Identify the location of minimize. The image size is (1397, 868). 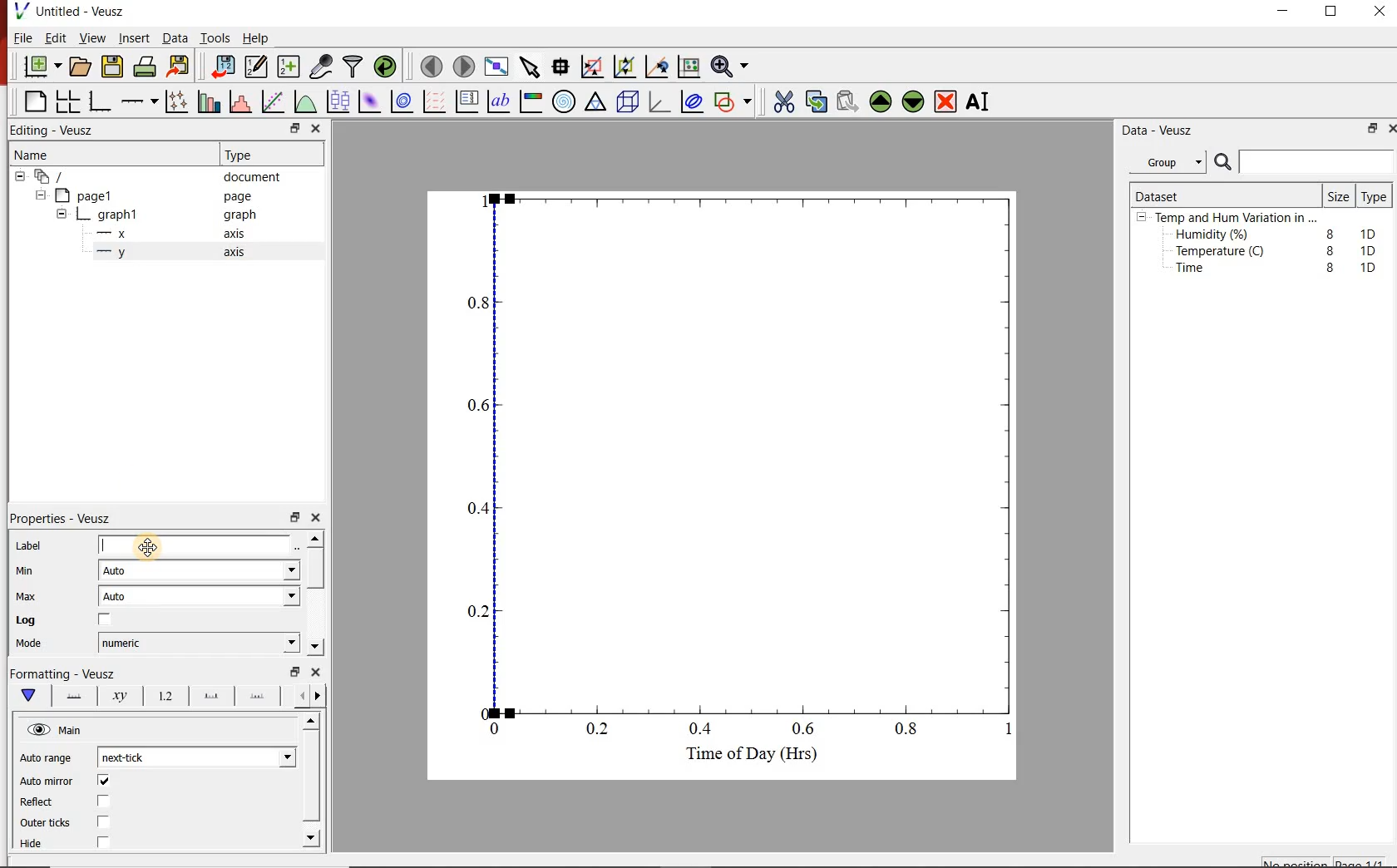
(1289, 12).